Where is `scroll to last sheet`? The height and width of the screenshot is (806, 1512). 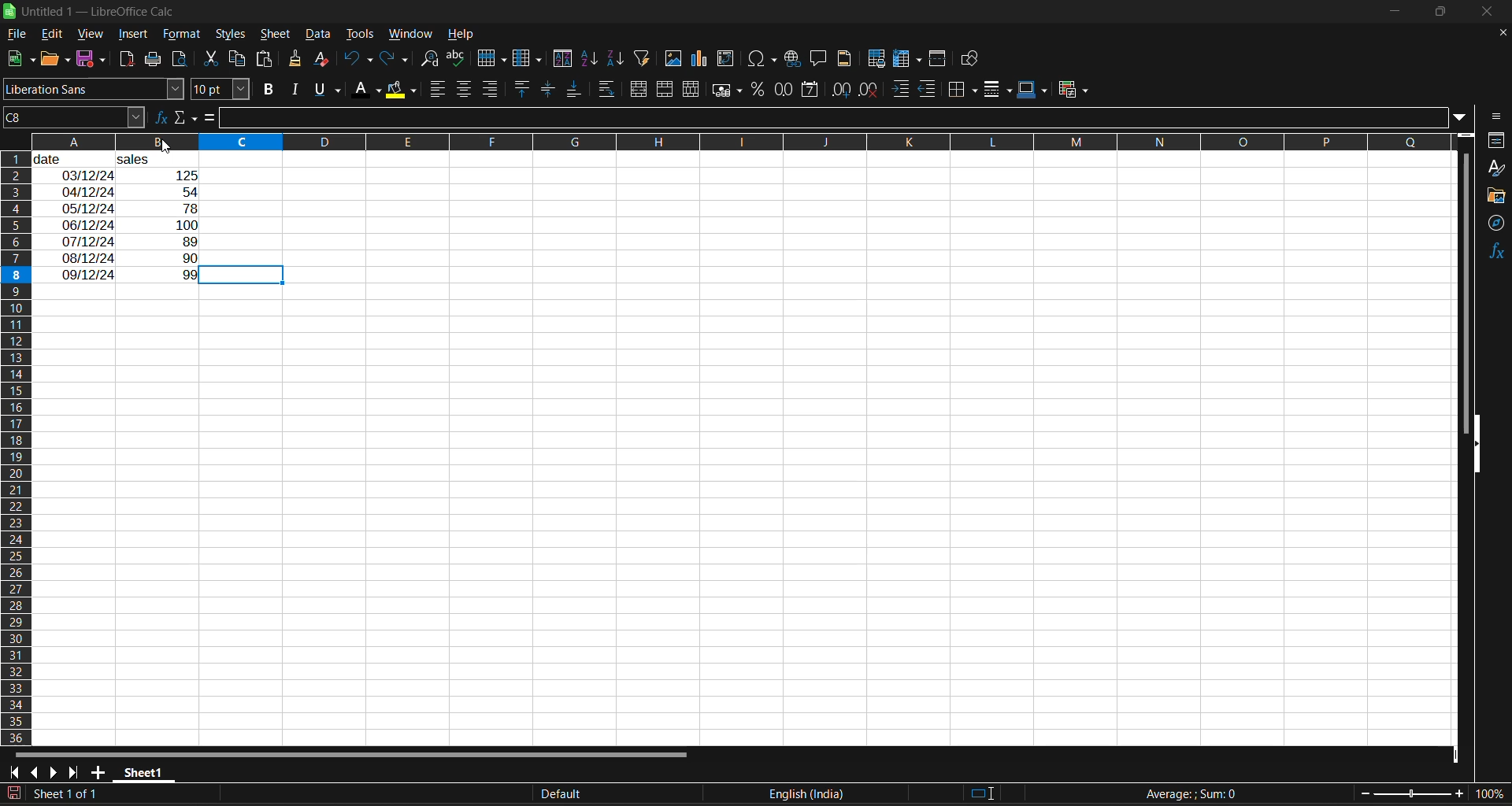
scroll to last sheet is located at coordinates (80, 773).